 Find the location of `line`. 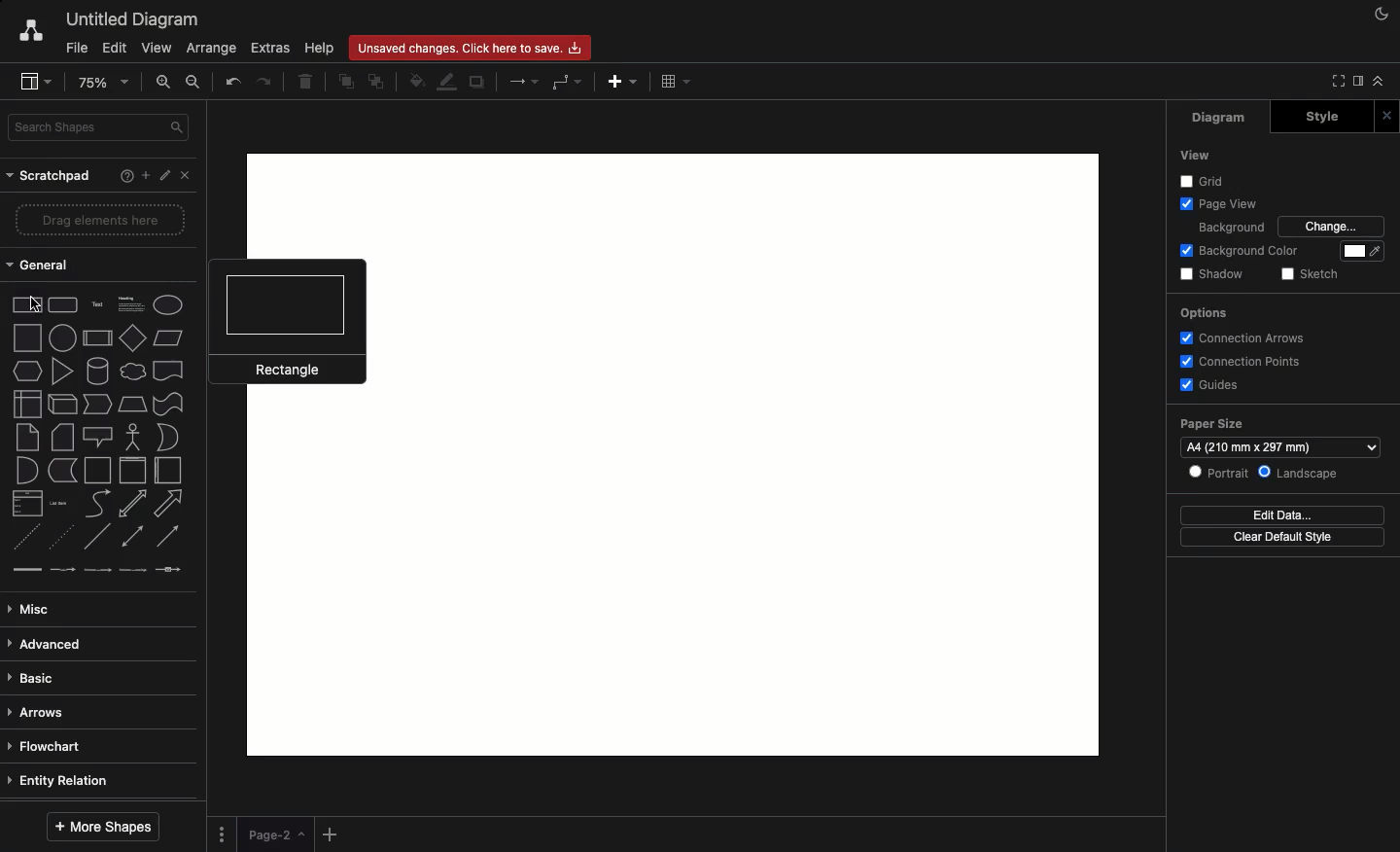

line is located at coordinates (96, 538).